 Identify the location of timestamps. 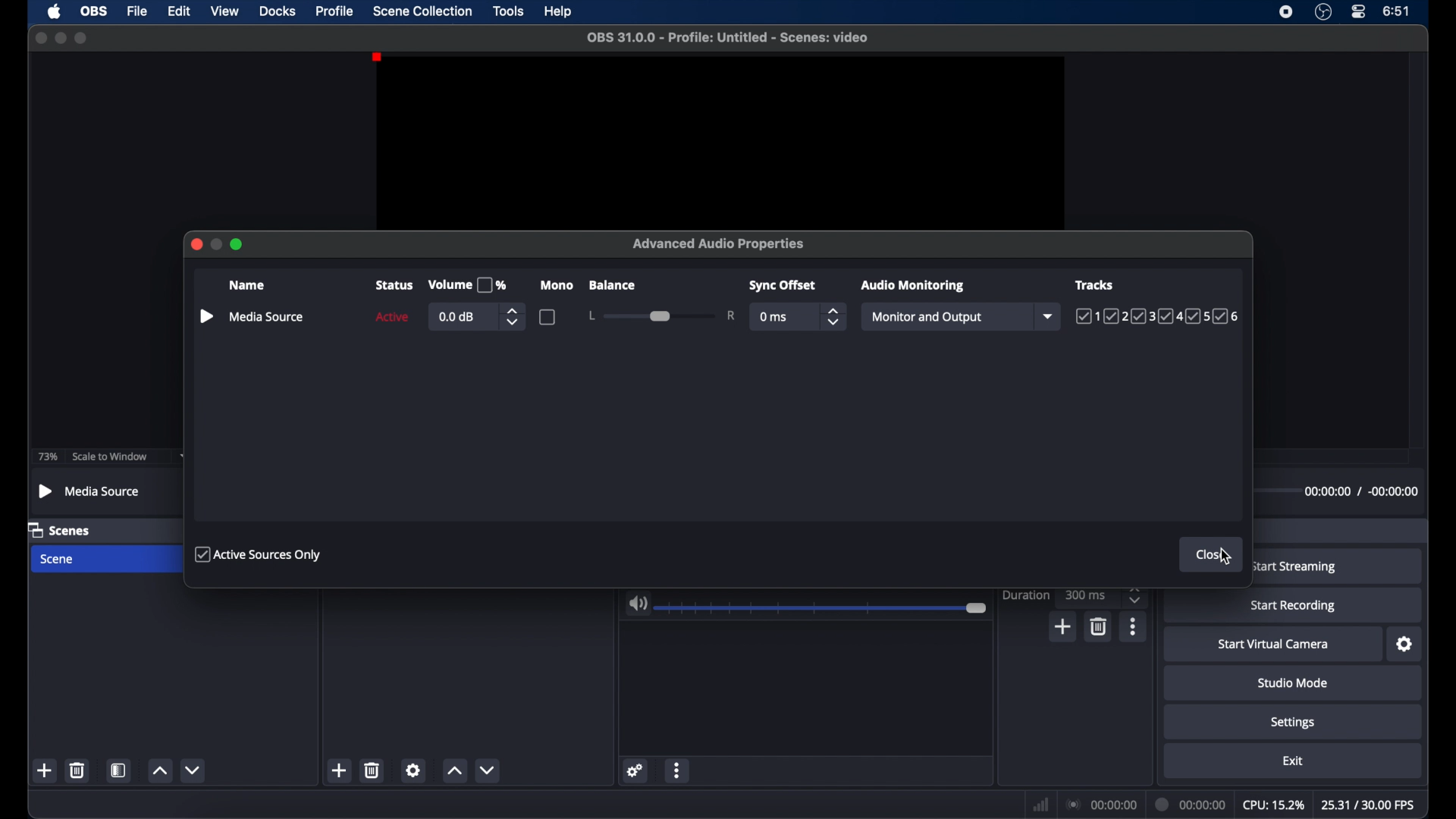
(1361, 492).